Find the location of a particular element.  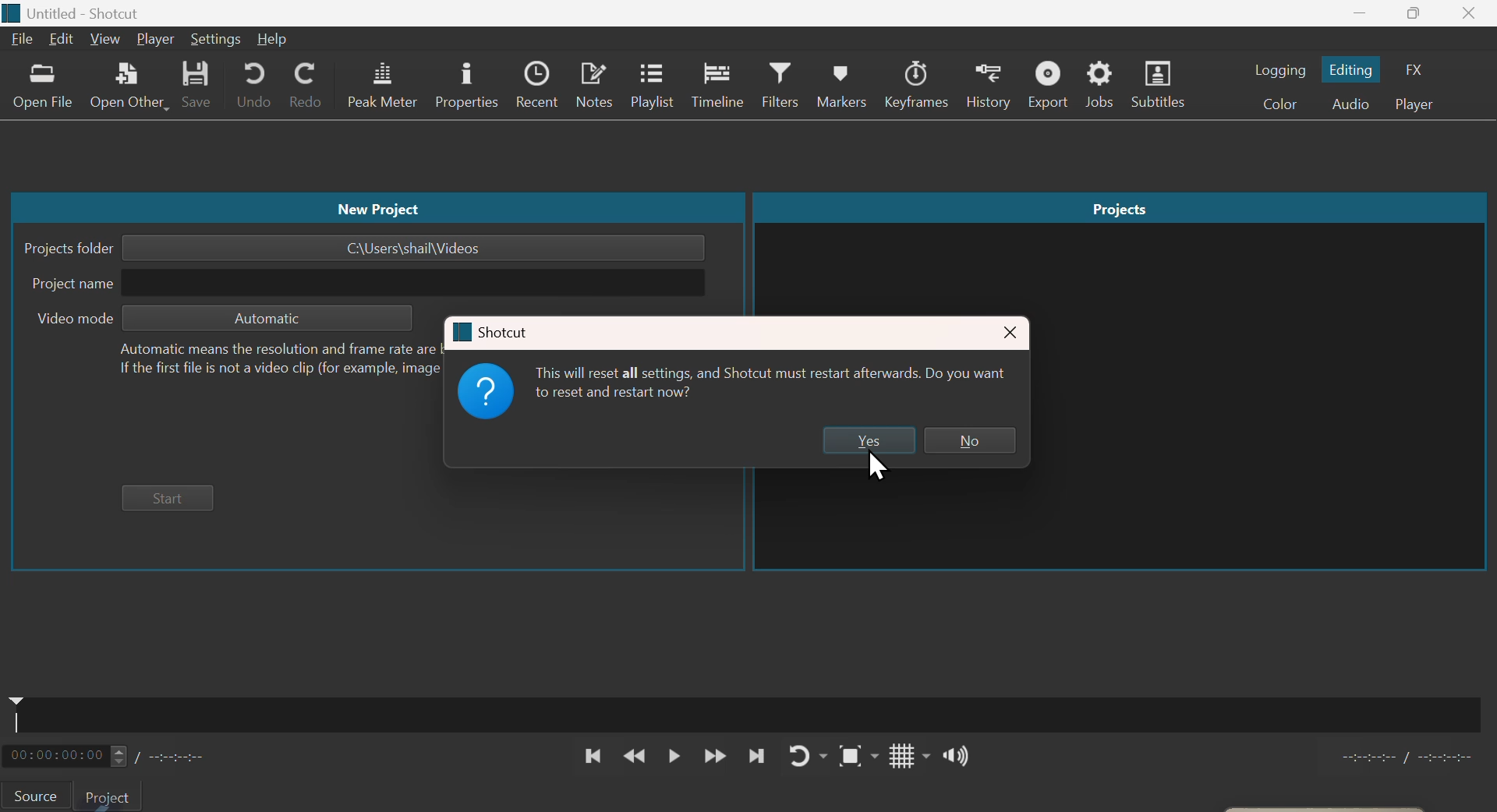

Timeline is located at coordinates (723, 86).